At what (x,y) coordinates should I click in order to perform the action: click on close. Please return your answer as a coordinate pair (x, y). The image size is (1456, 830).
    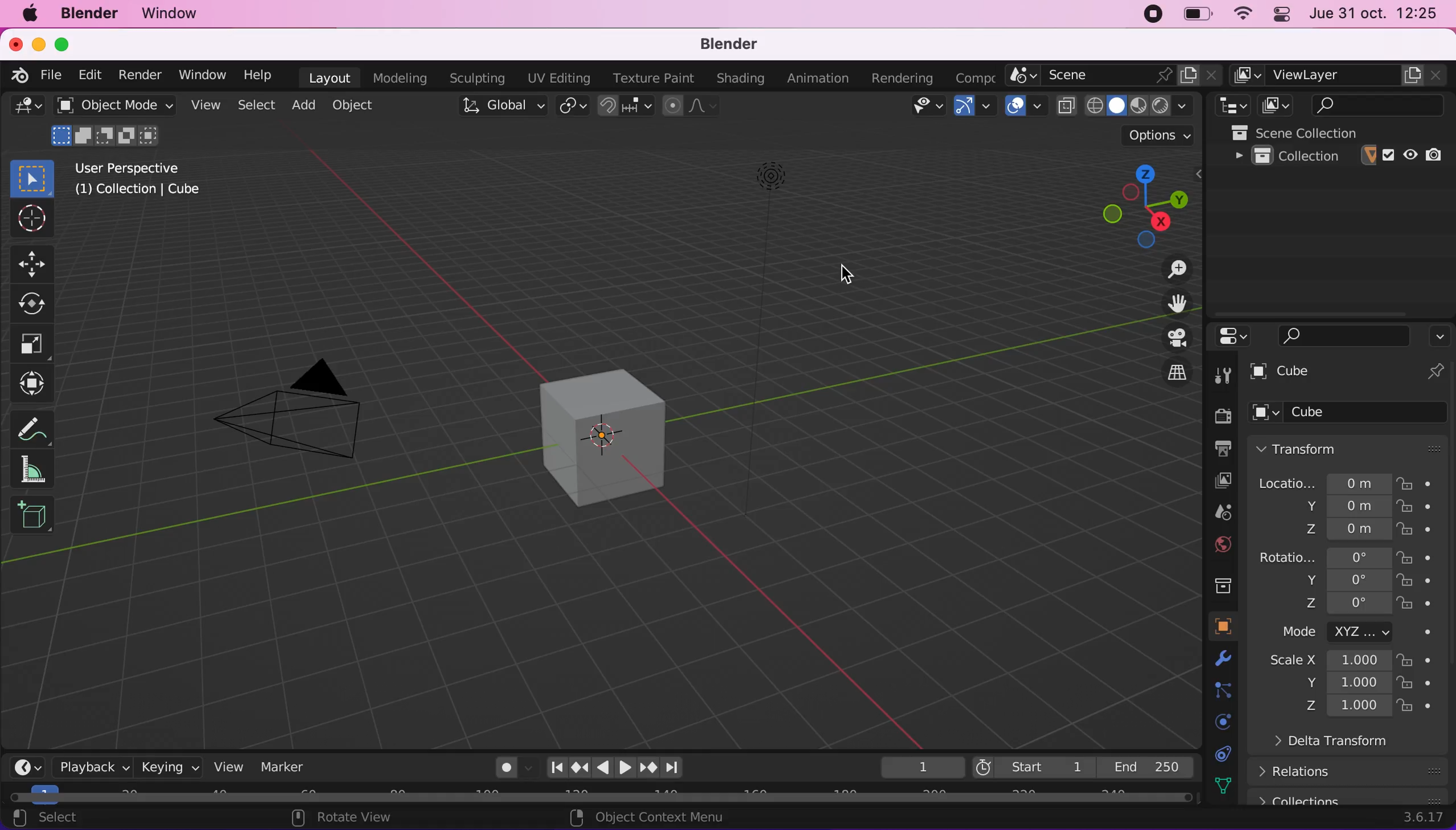
    Looking at the image, I should click on (15, 45).